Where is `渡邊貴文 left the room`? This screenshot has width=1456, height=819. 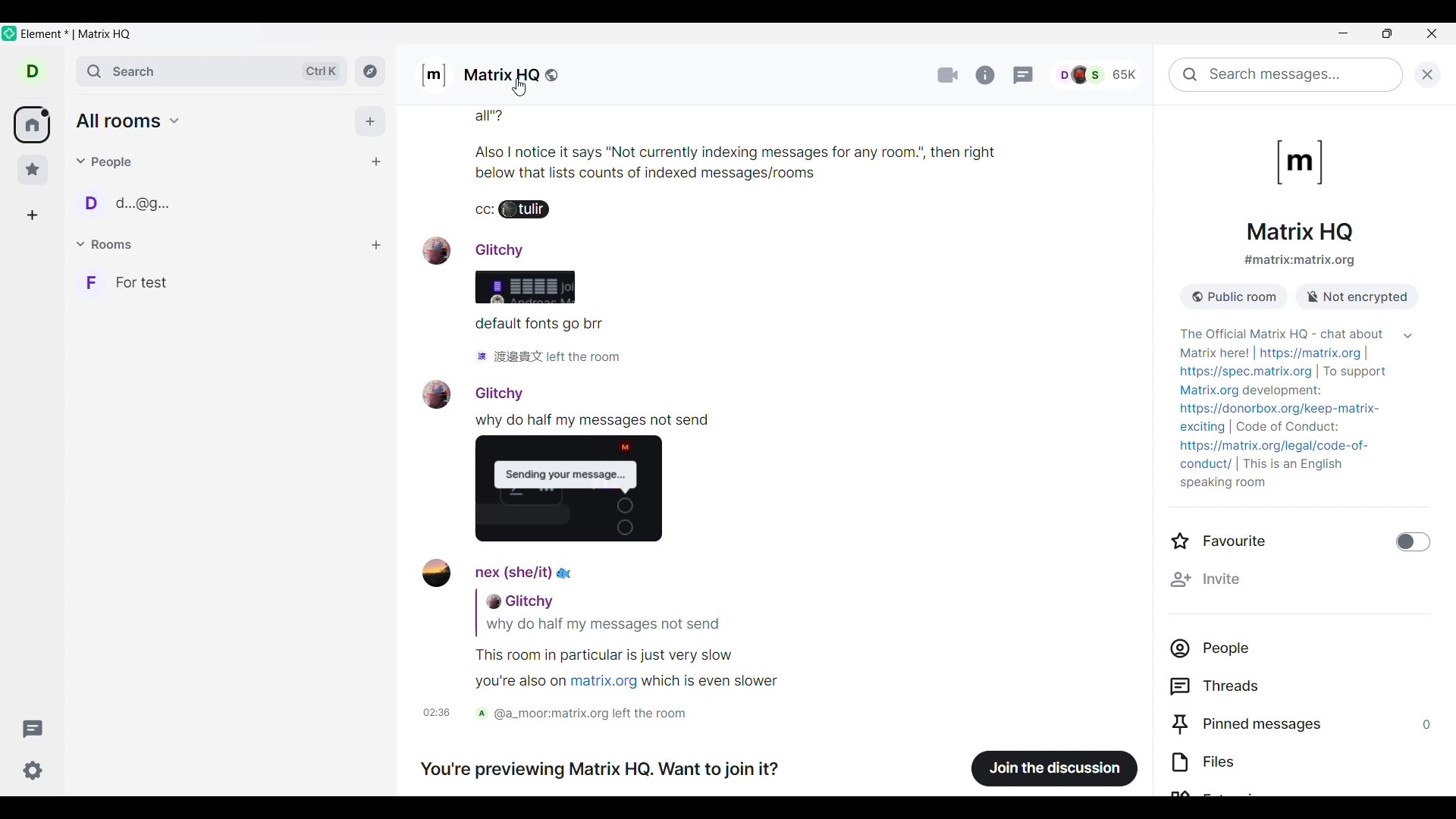 渡邊貴文 left the room is located at coordinates (548, 358).